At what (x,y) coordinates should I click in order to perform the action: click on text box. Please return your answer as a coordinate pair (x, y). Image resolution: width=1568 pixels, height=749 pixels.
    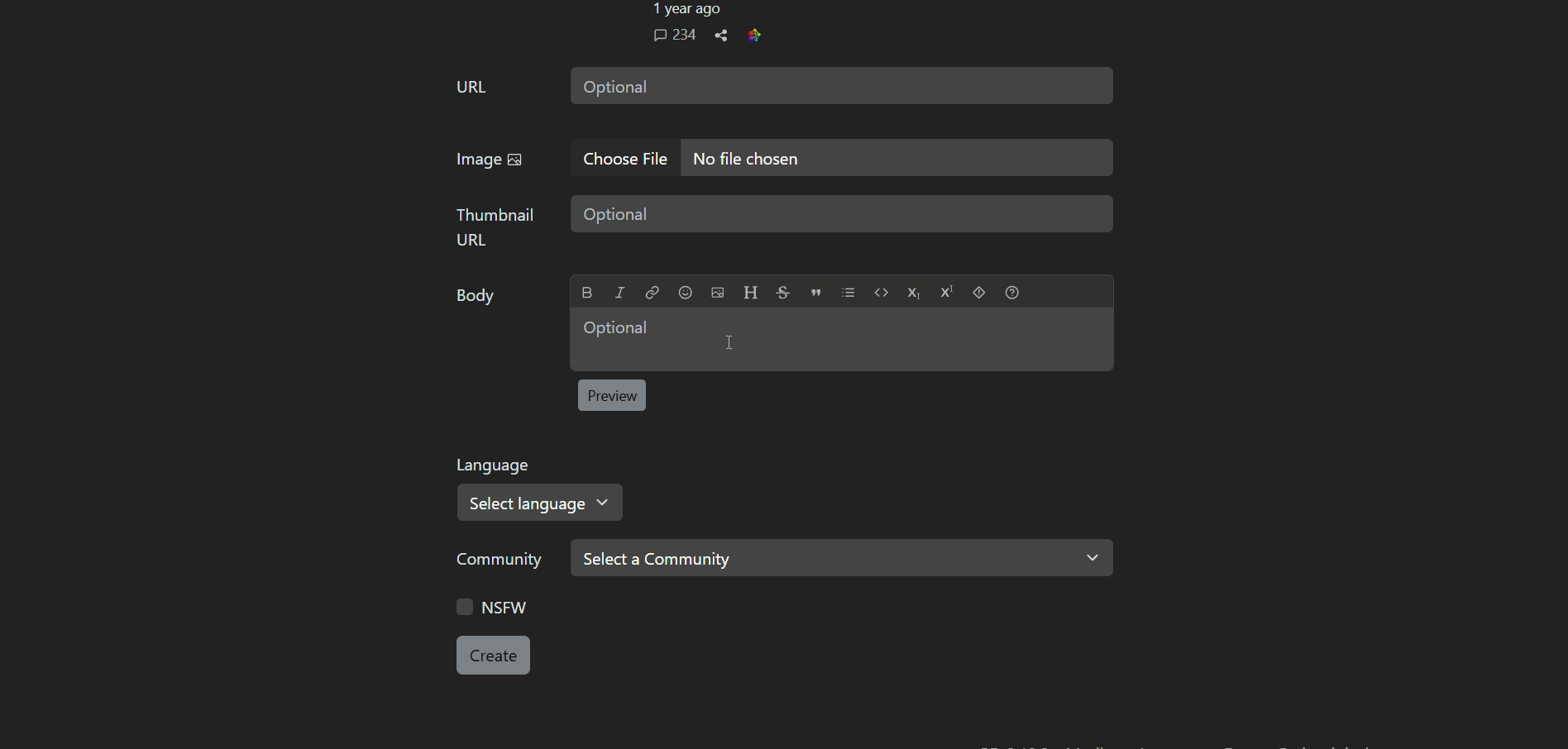
    Looking at the image, I should click on (841, 339).